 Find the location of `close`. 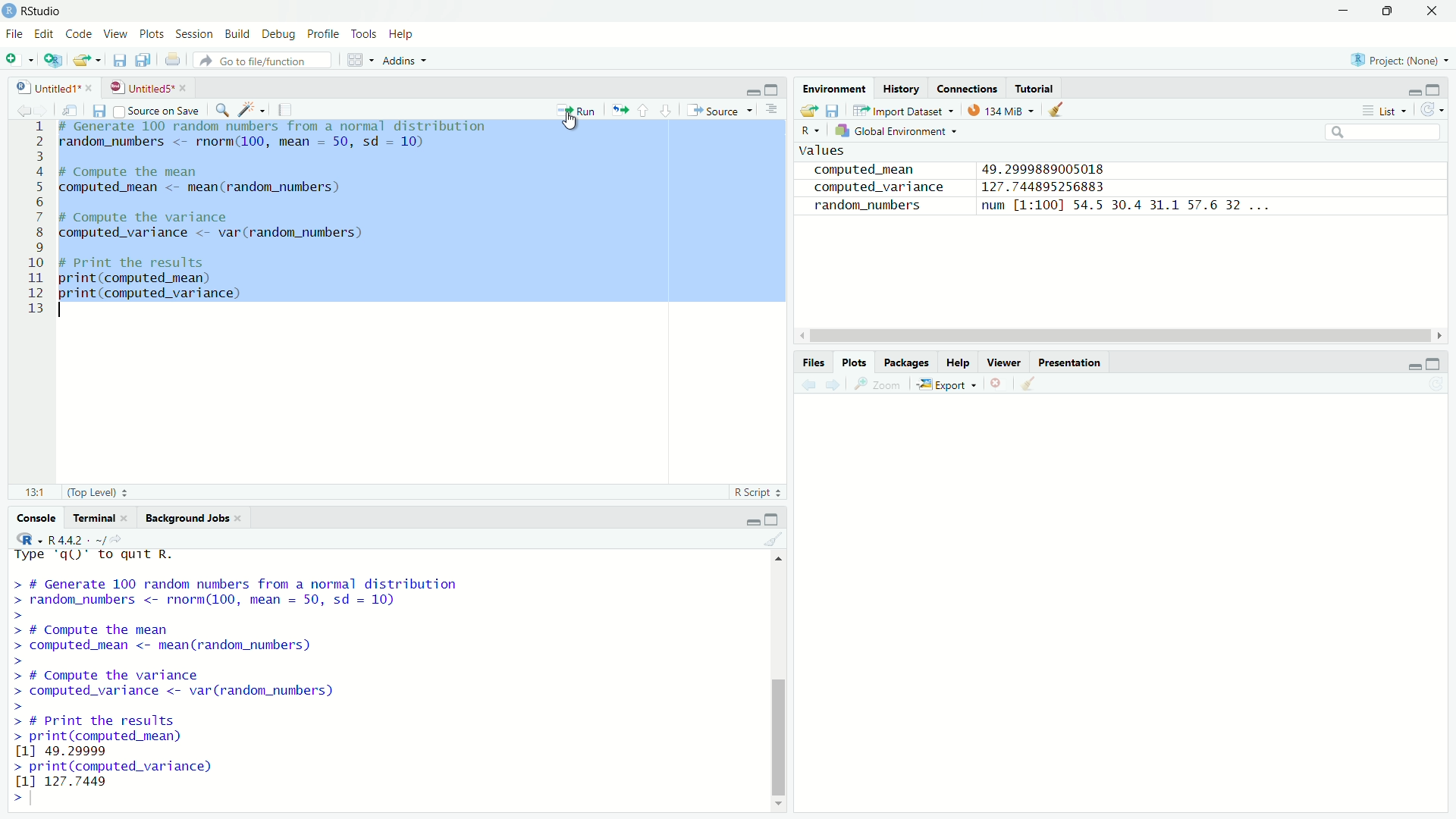

close is located at coordinates (127, 518).